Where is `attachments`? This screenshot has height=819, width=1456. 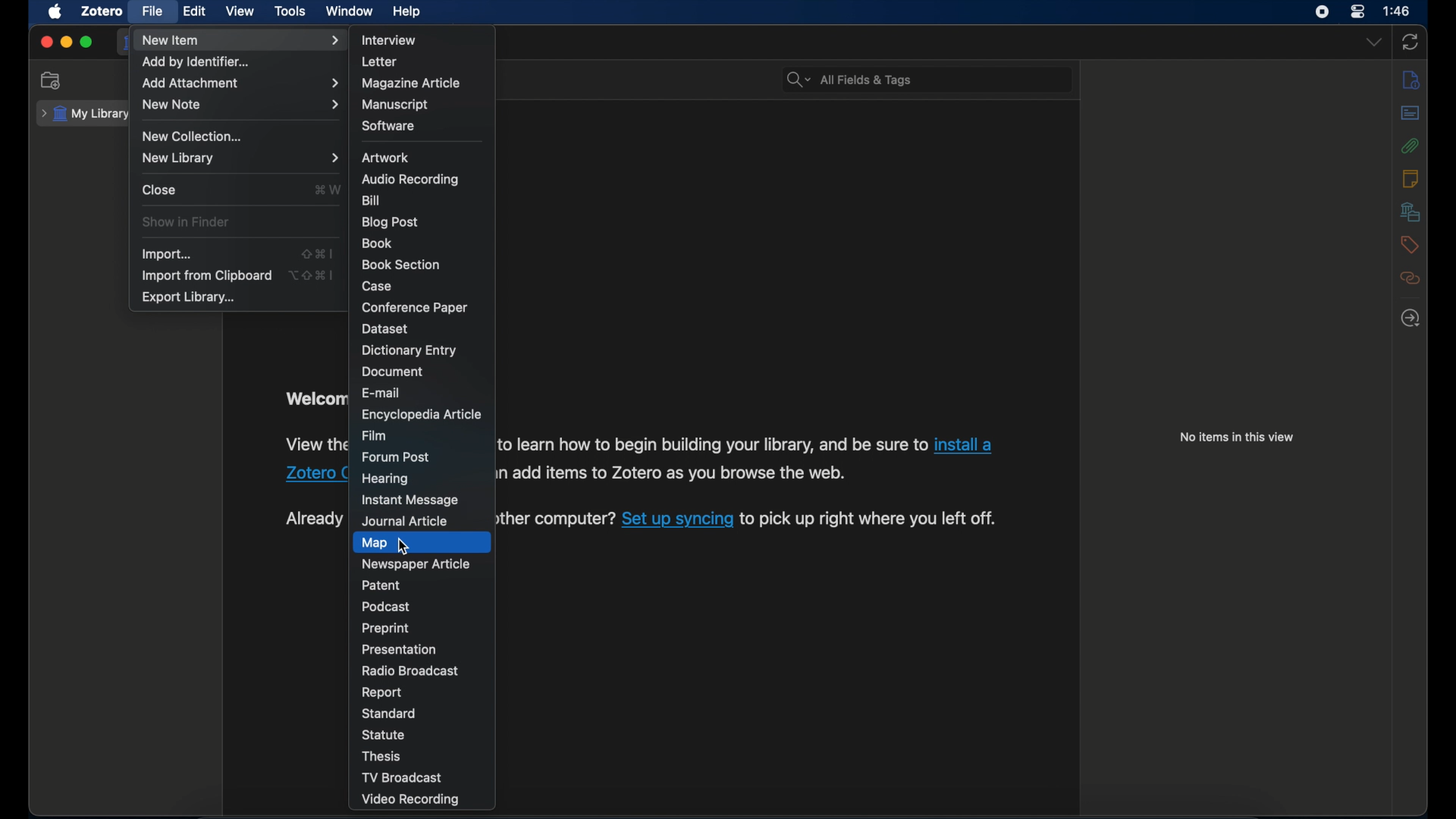
attachments is located at coordinates (1410, 146).